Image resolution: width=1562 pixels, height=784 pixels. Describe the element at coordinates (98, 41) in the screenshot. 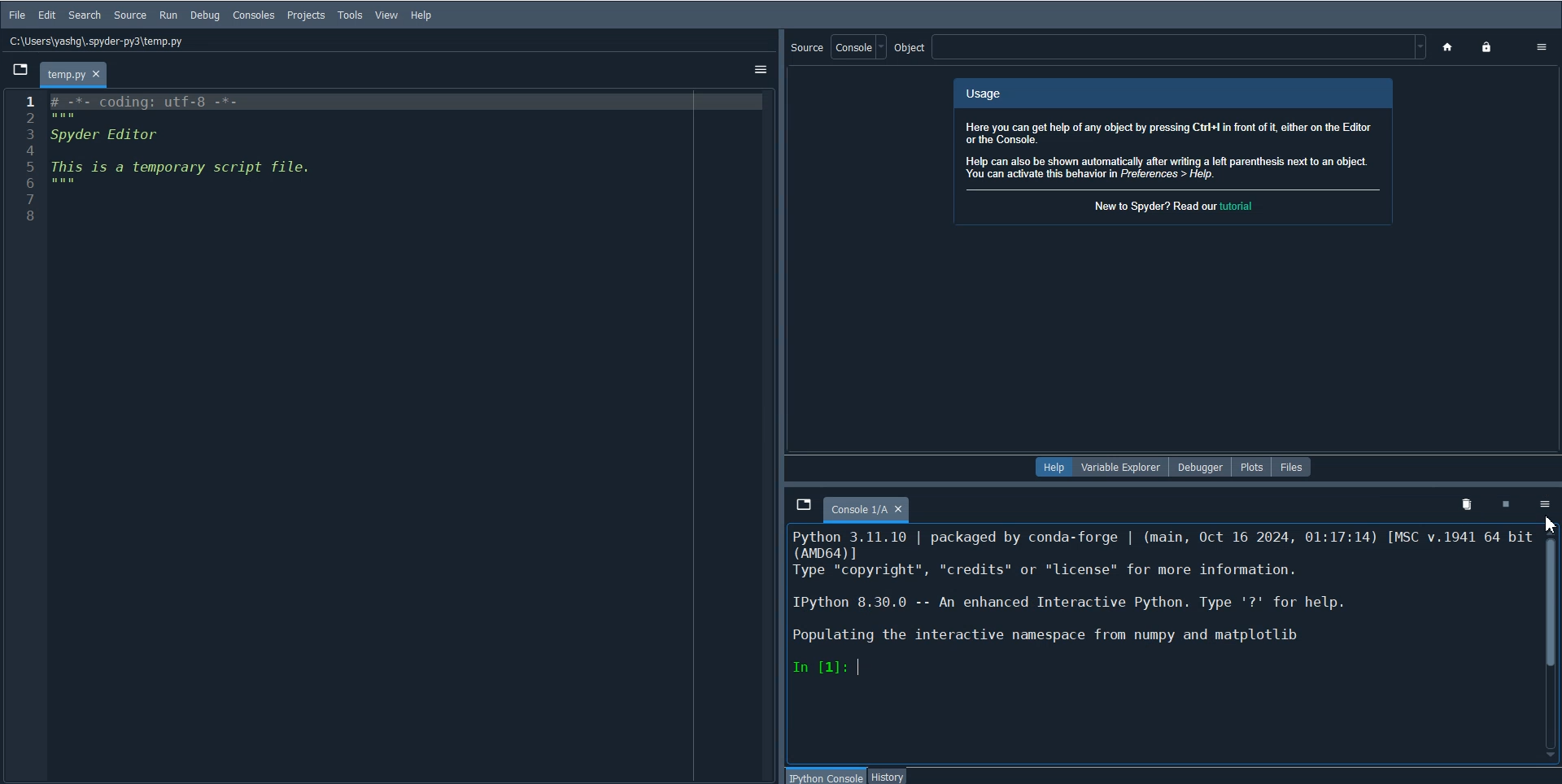

I see `C:\Users\yashg\.spyder-py3\temp.py` at that location.